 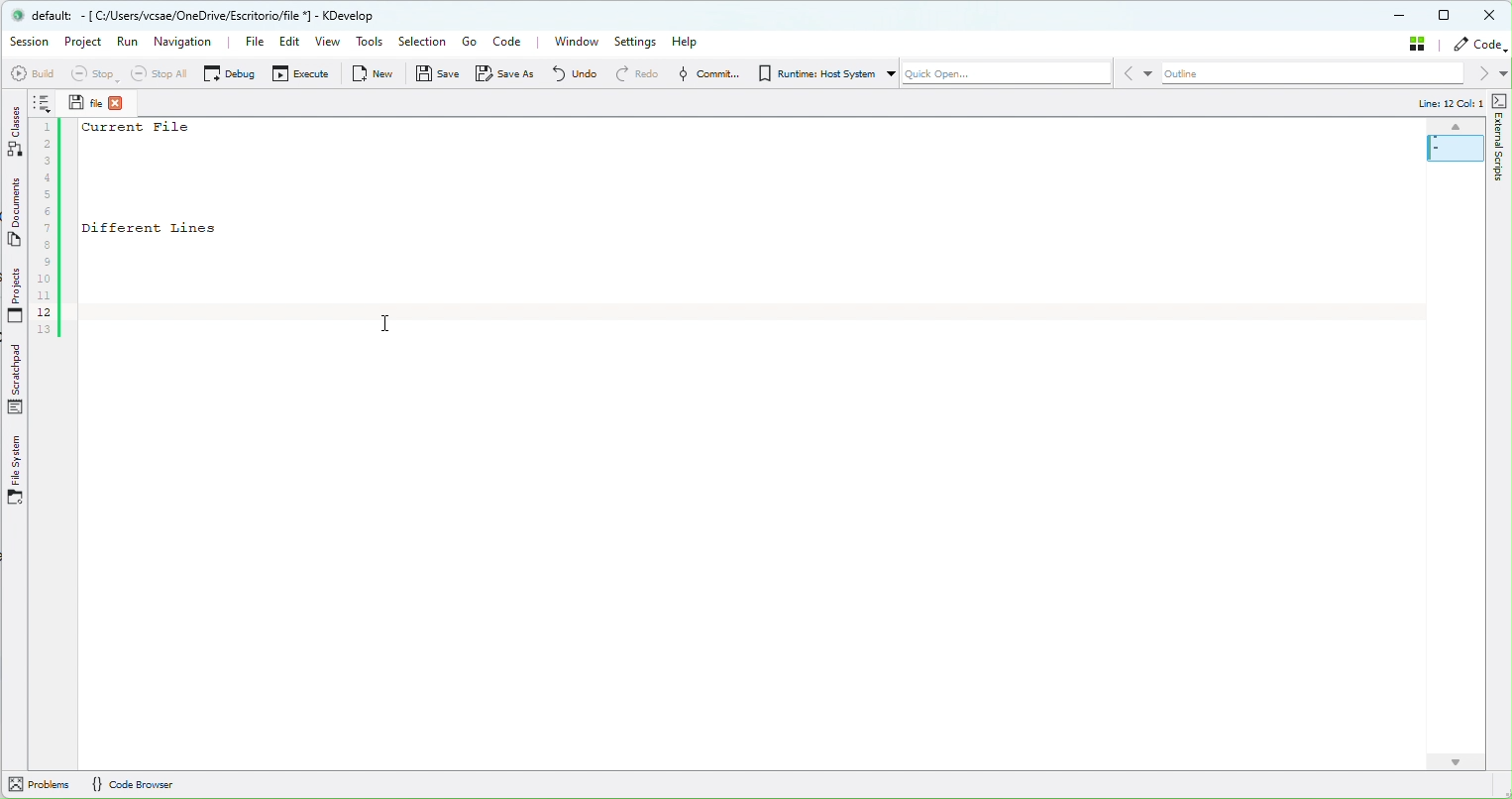 I want to click on Stash, so click(x=1414, y=44).